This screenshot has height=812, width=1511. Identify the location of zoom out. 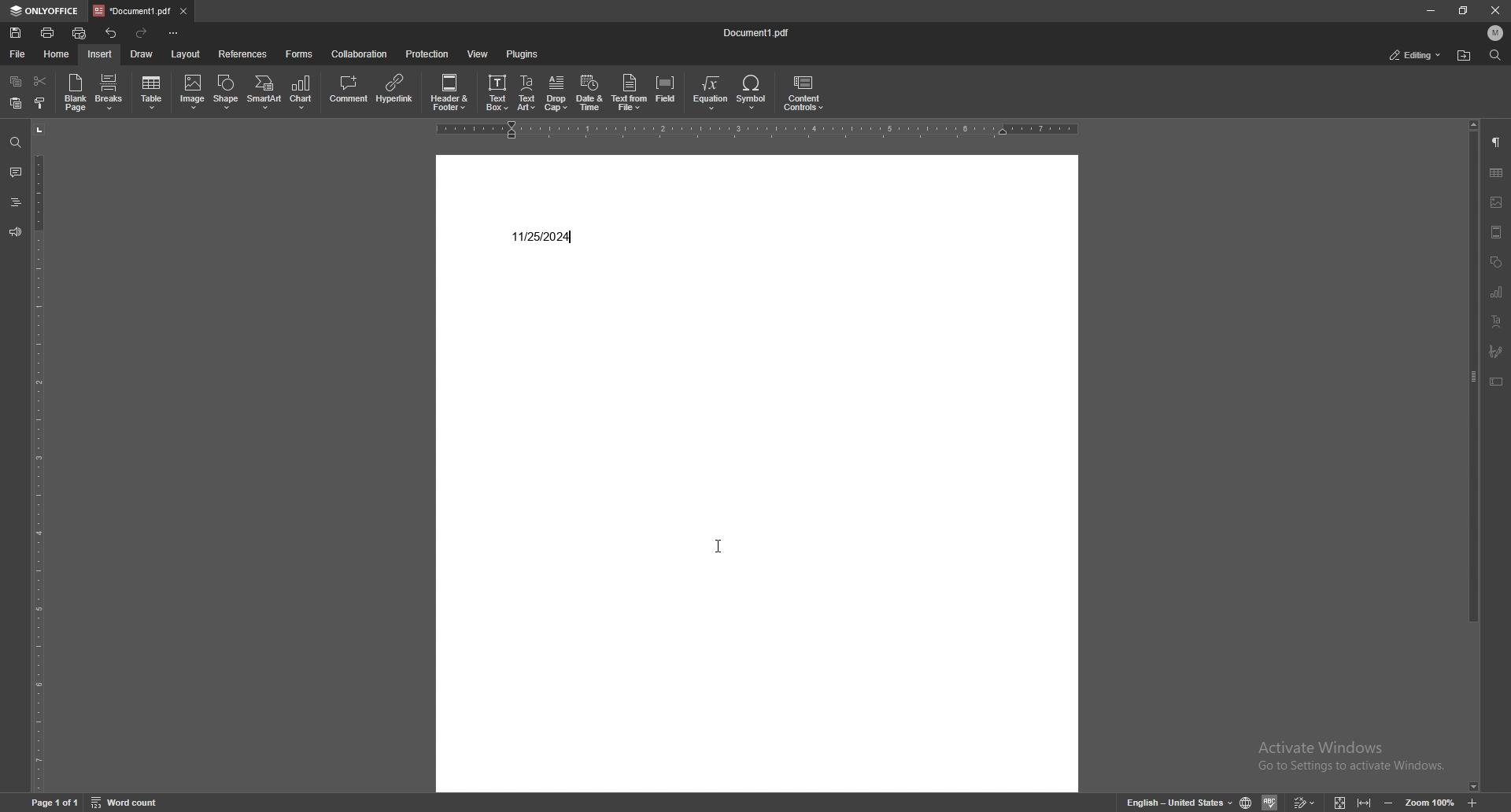
(1389, 800).